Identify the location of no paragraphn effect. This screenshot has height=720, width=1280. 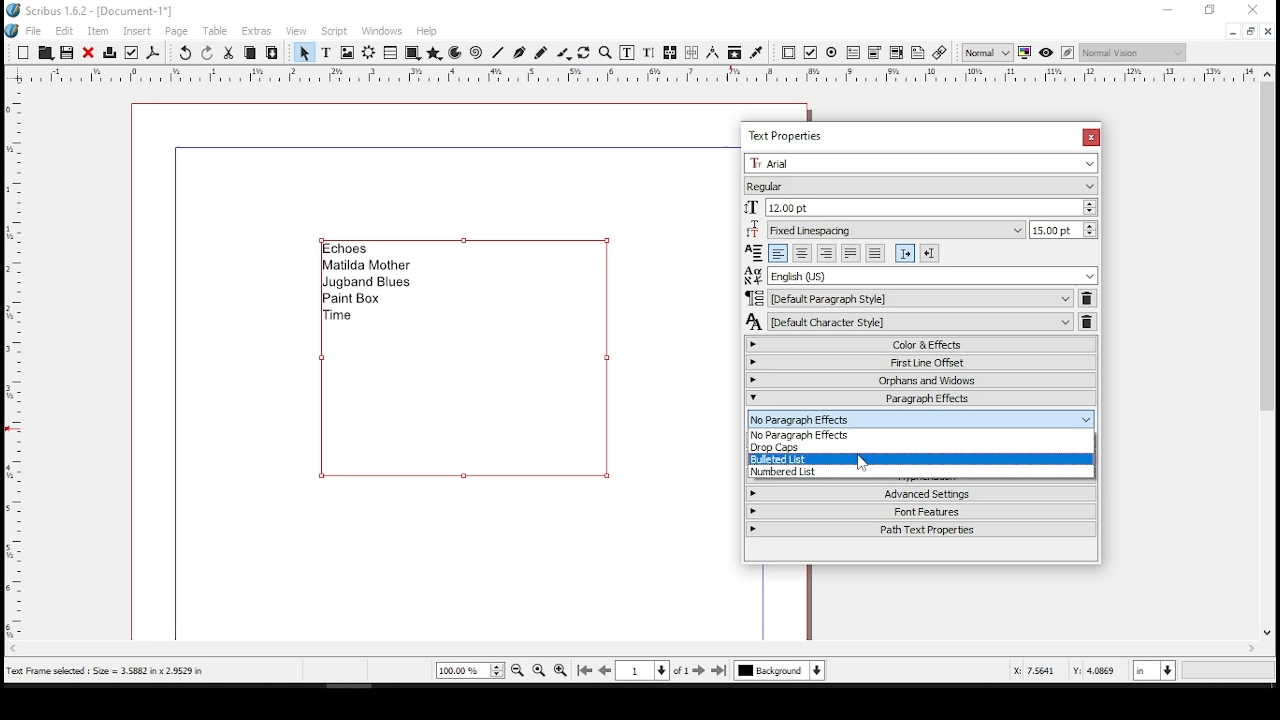
(920, 436).